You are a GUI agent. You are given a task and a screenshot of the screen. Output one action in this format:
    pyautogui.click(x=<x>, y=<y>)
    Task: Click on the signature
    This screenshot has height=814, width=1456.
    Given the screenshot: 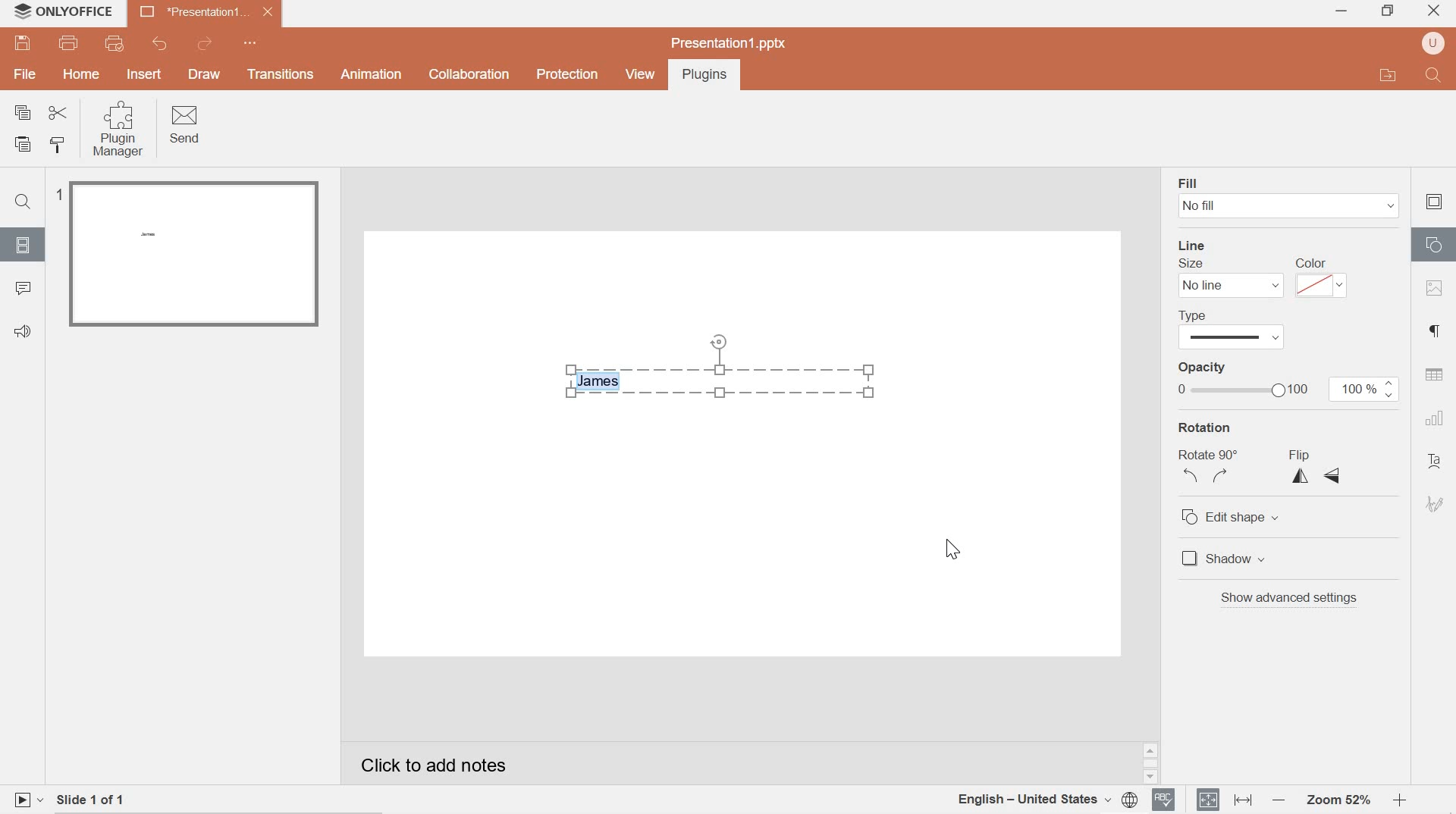 What is the action you would take?
    pyautogui.click(x=1436, y=504)
    